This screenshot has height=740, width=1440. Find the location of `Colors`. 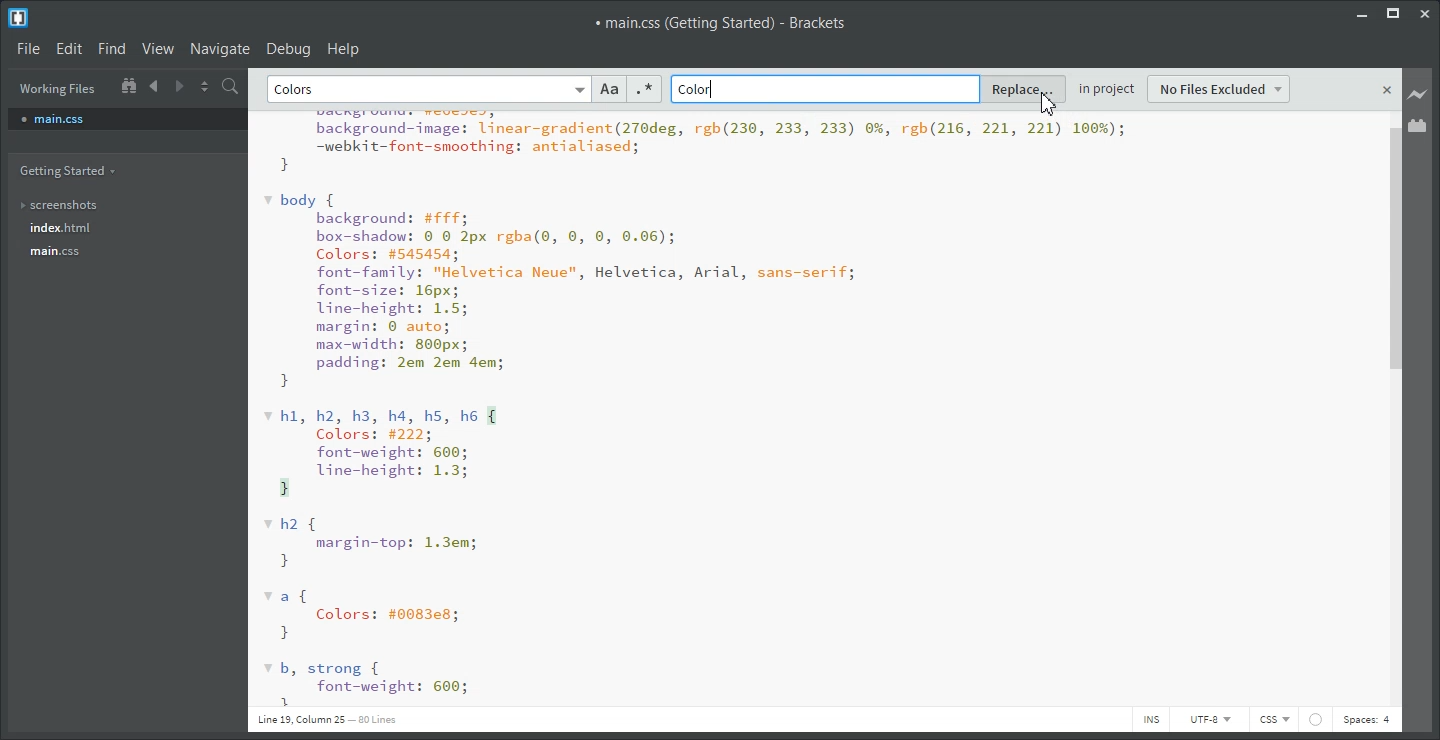

Colors is located at coordinates (298, 90).